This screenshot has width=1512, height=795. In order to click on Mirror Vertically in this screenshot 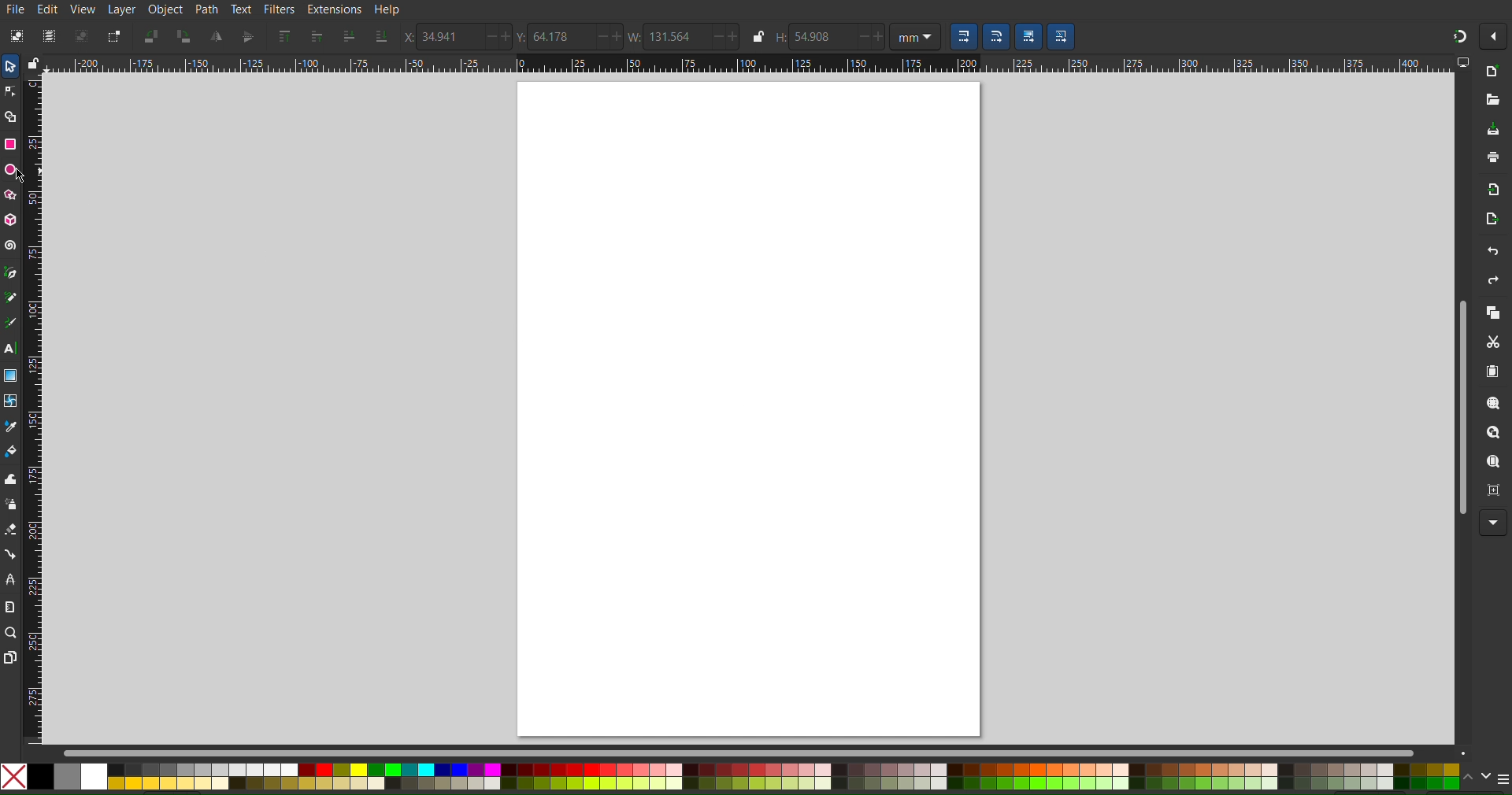, I will do `click(217, 36)`.